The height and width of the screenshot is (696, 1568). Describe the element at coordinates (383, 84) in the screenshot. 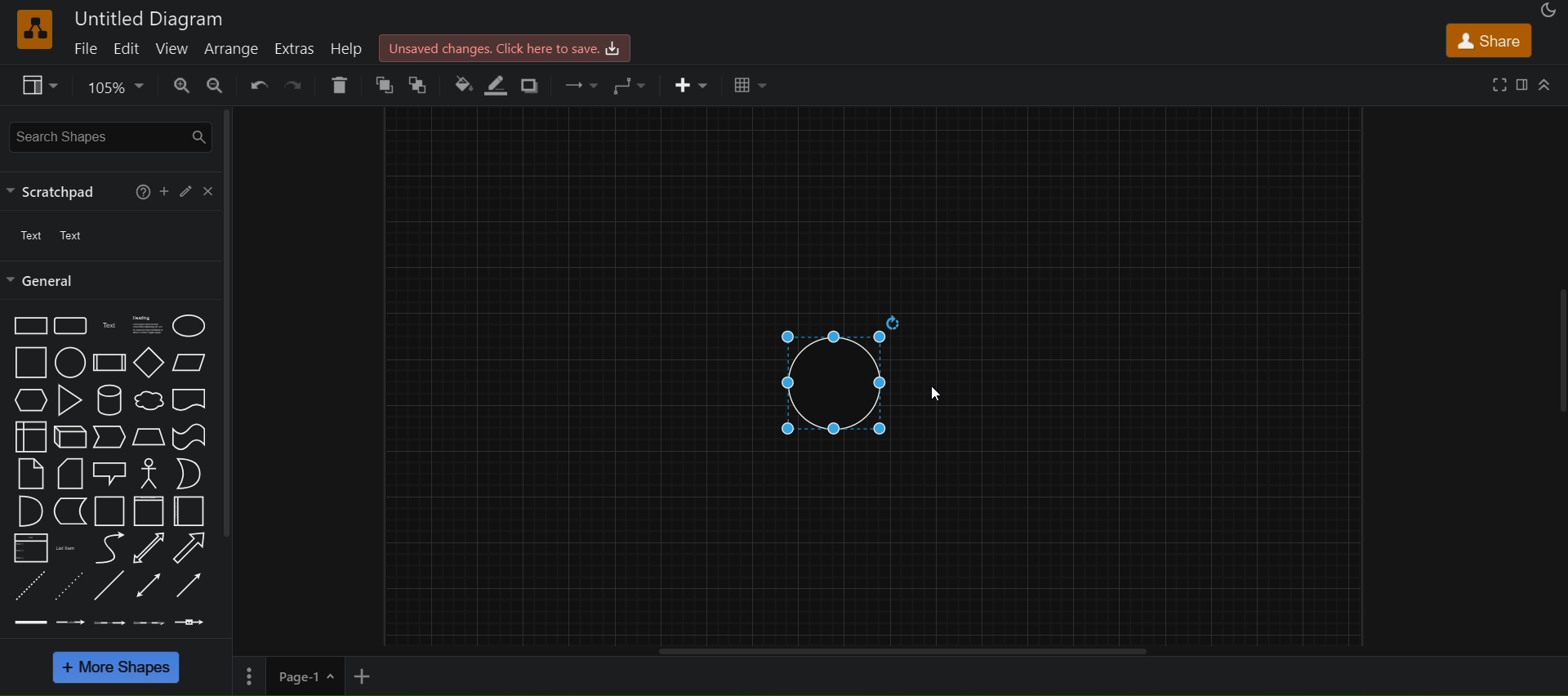

I see `to front` at that location.